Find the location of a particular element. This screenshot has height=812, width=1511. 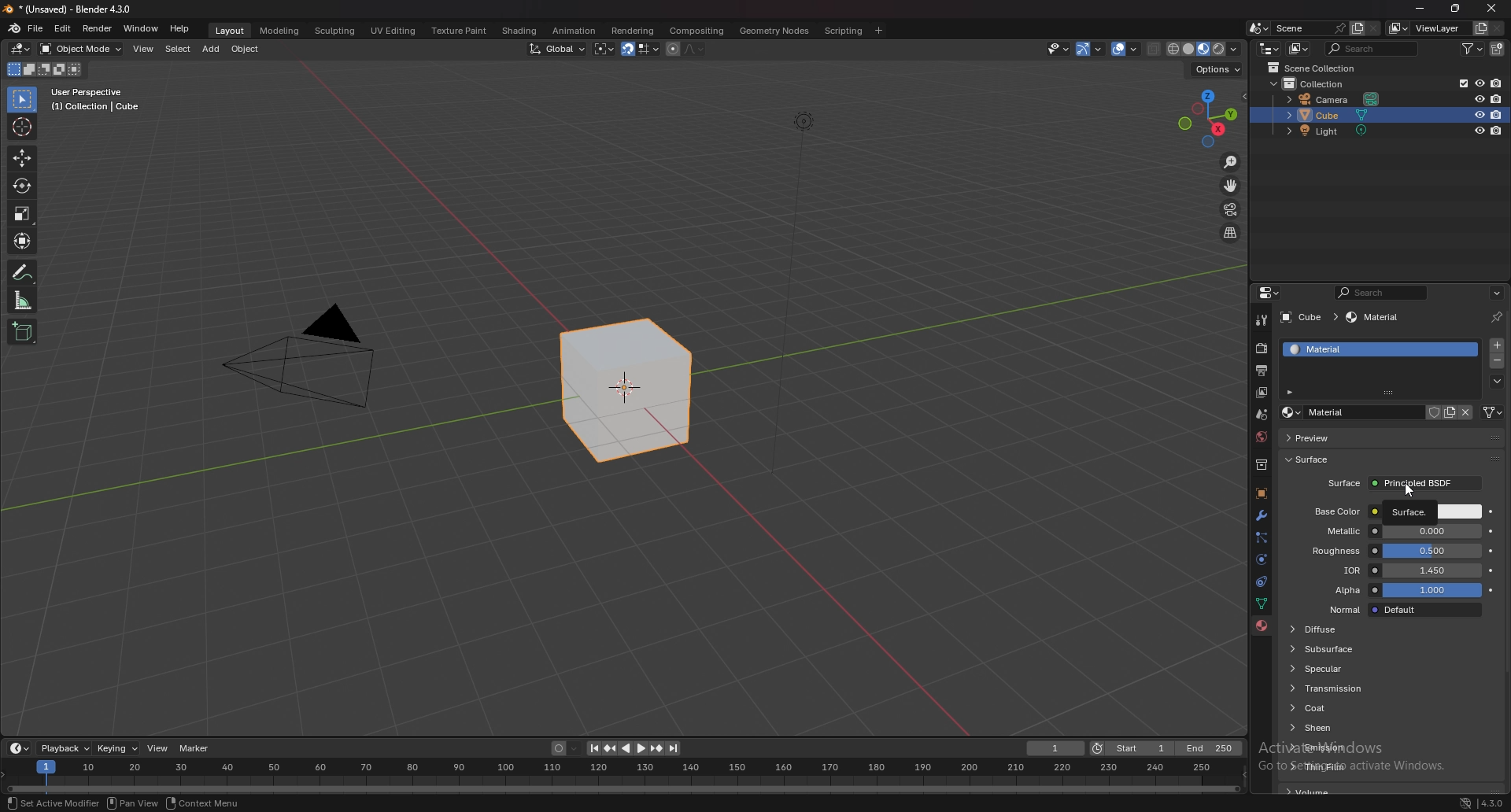

thin film is located at coordinates (1358, 766).